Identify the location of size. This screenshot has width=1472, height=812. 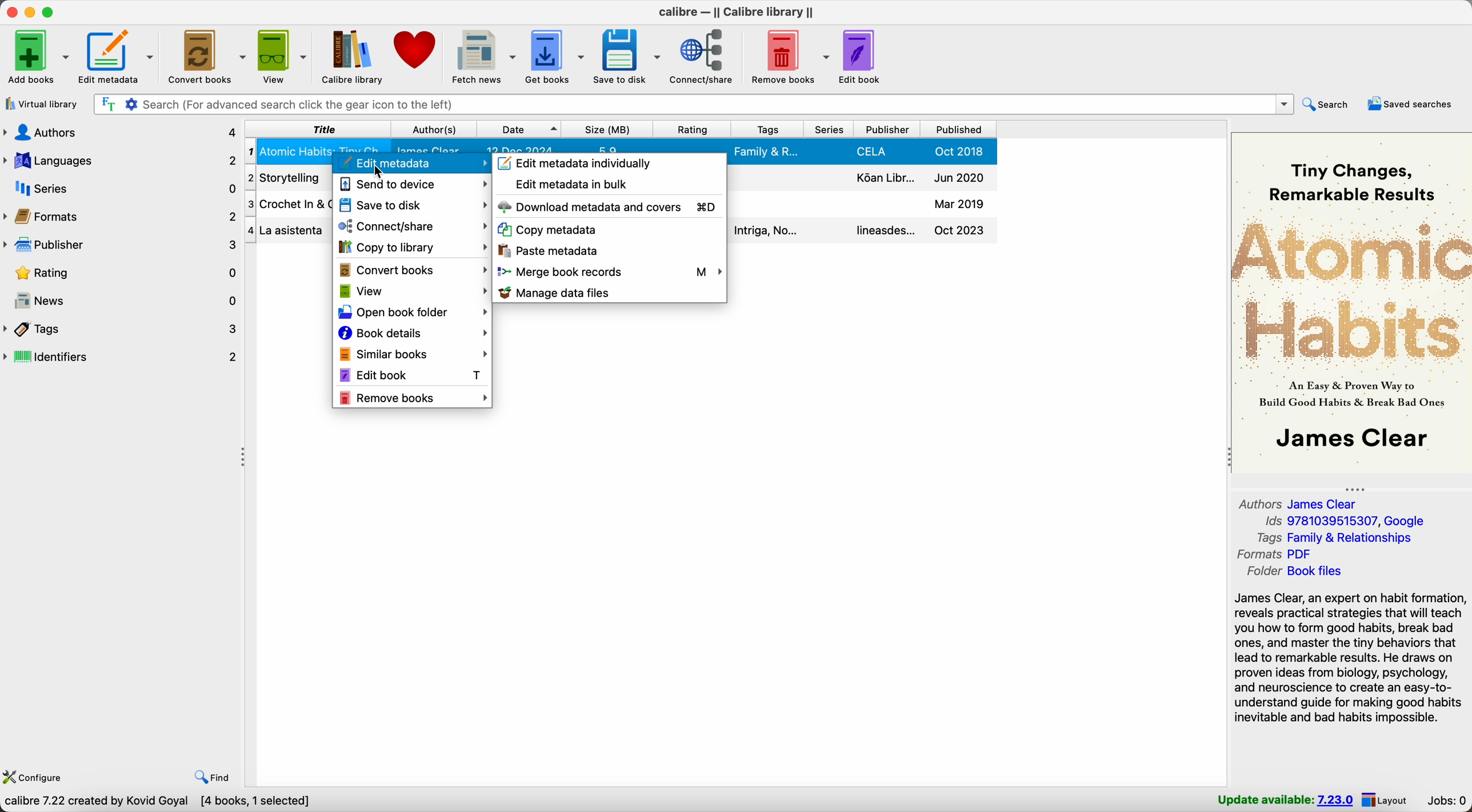
(607, 129).